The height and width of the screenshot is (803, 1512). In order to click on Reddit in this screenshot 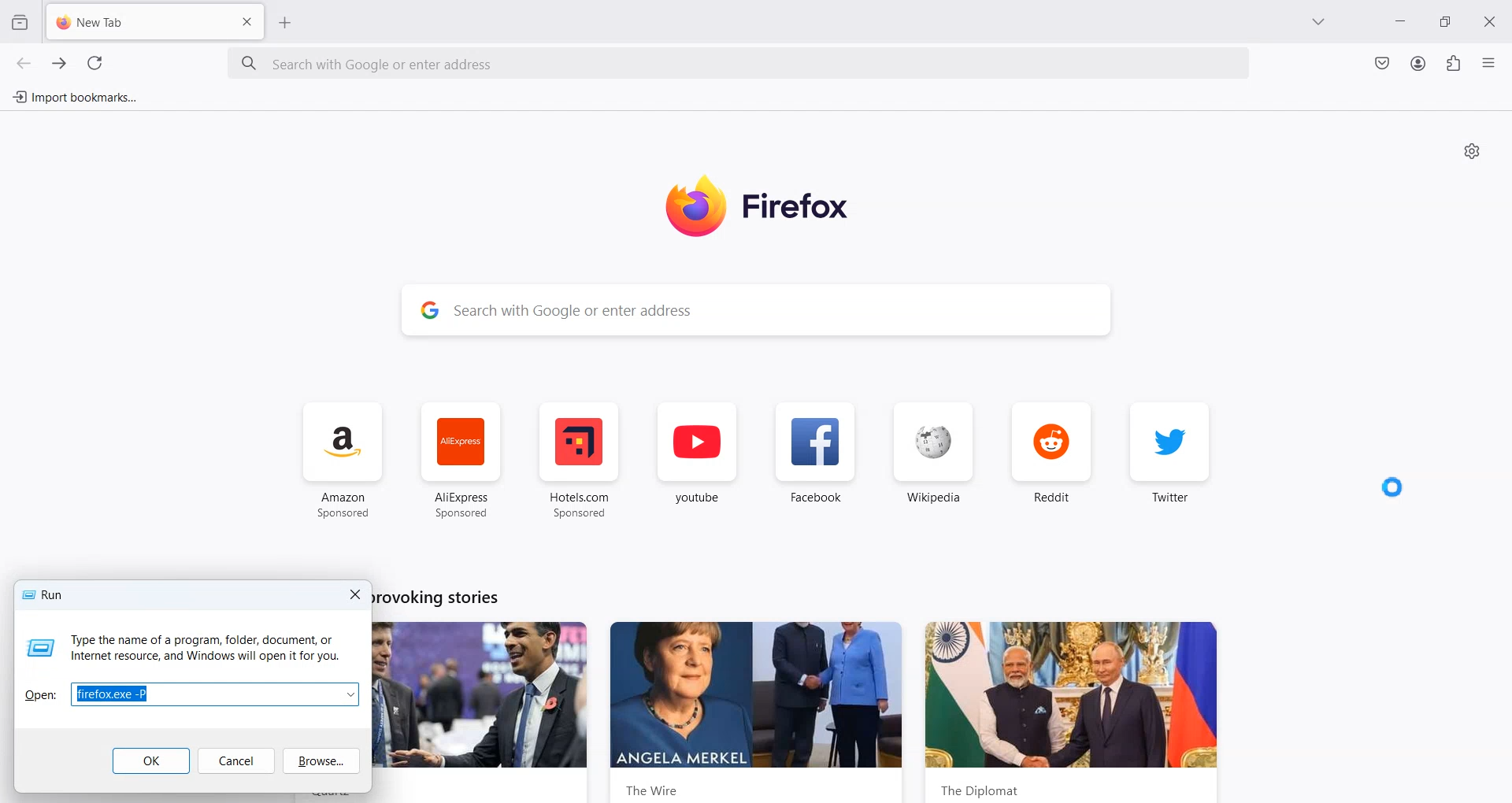, I will do `click(1051, 457)`.